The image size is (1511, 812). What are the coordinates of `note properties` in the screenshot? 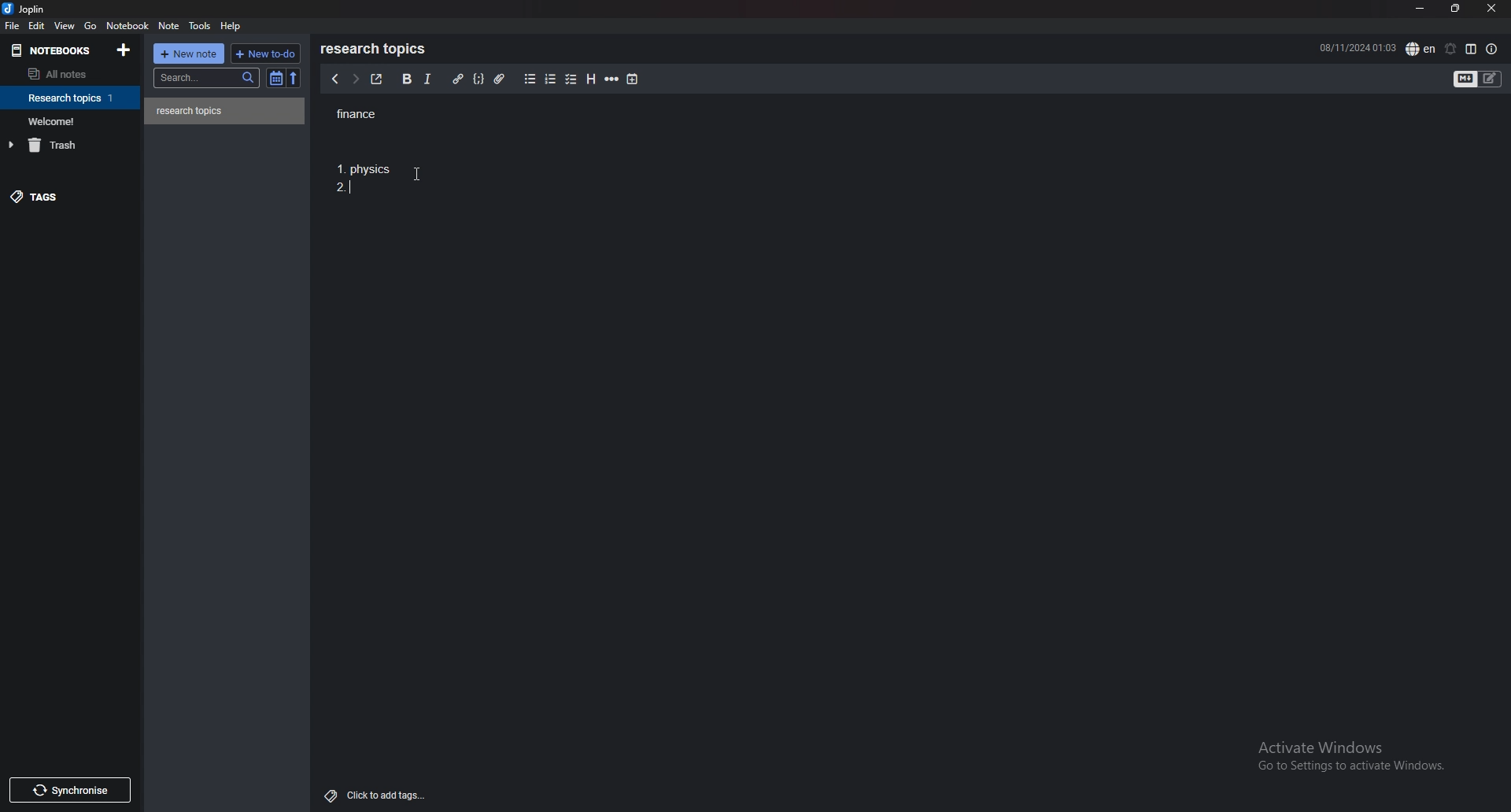 It's located at (1492, 49).